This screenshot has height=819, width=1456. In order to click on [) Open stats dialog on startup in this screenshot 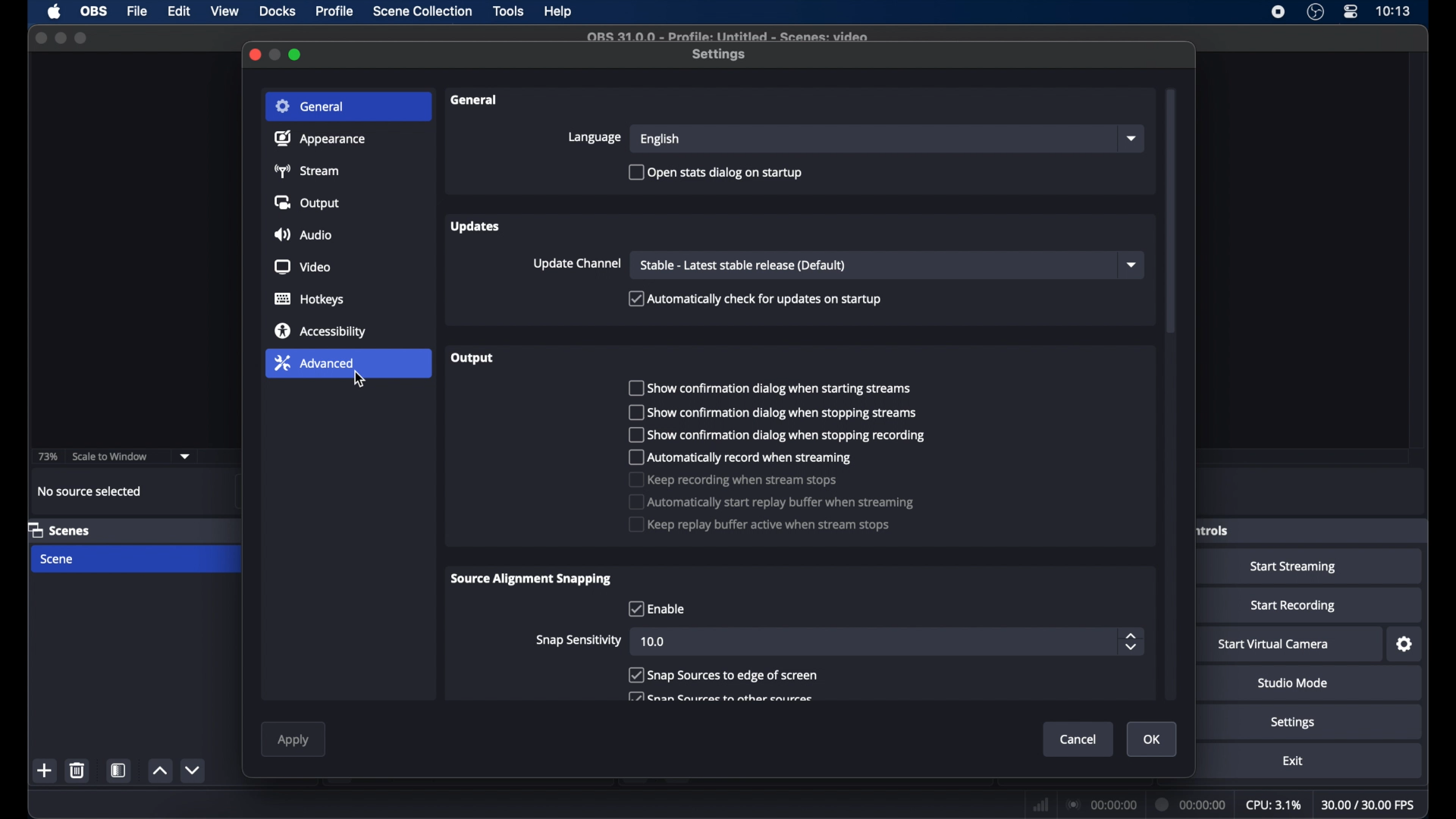, I will do `click(715, 172)`.